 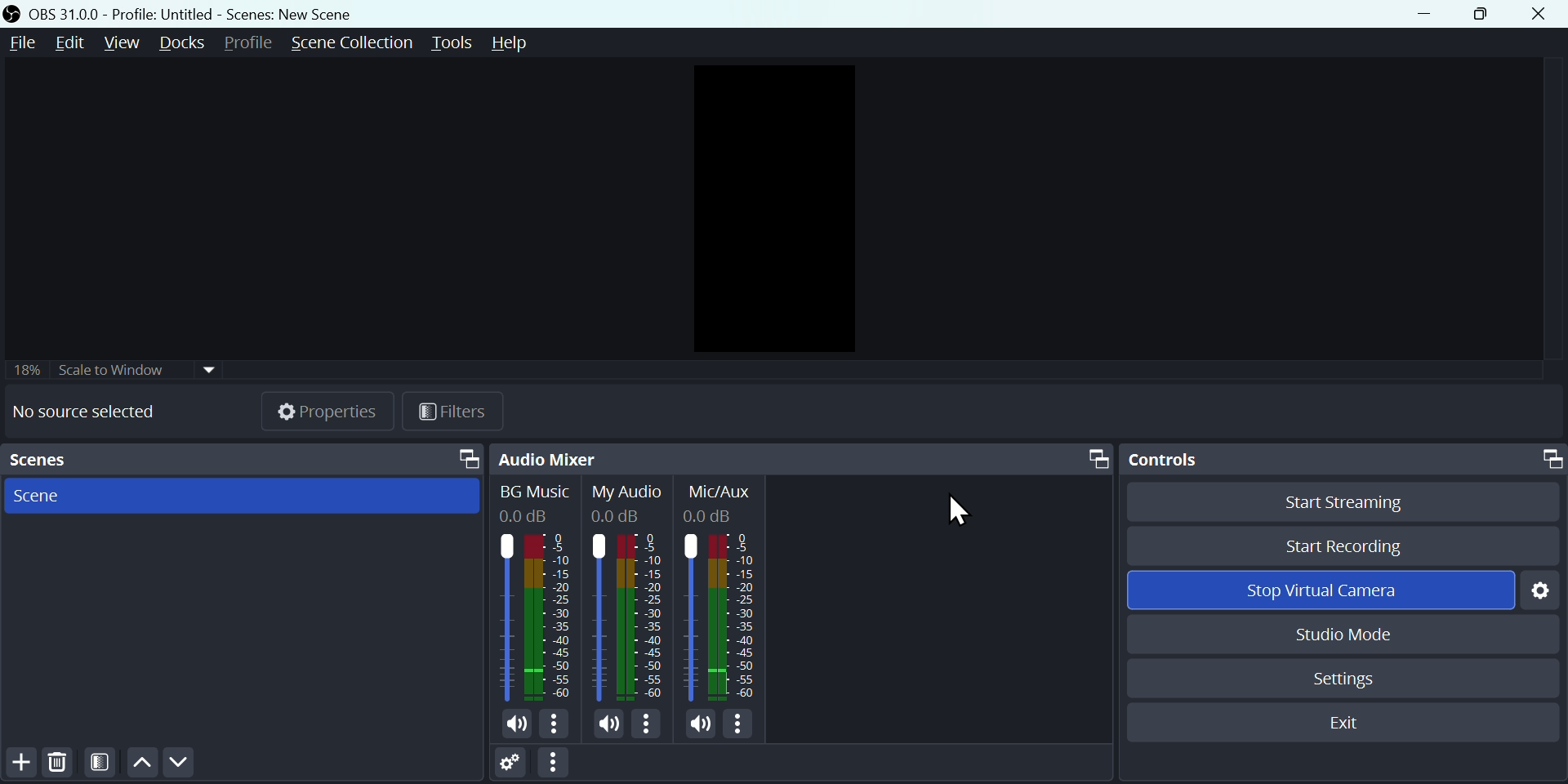 I want to click on No source selected, so click(x=82, y=416).